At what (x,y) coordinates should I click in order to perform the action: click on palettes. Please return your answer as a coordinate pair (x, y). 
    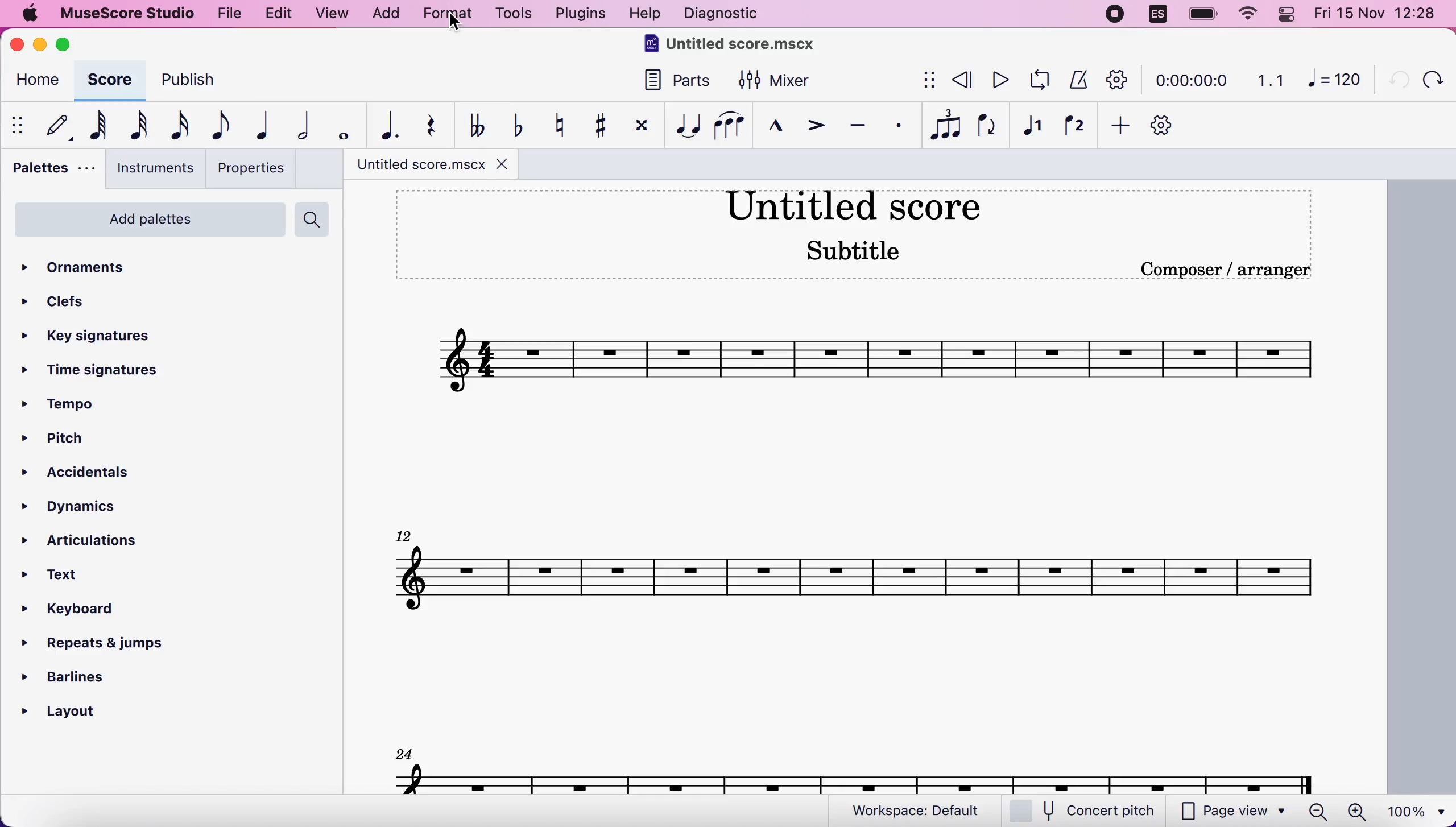
    Looking at the image, I should click on (50, 171).